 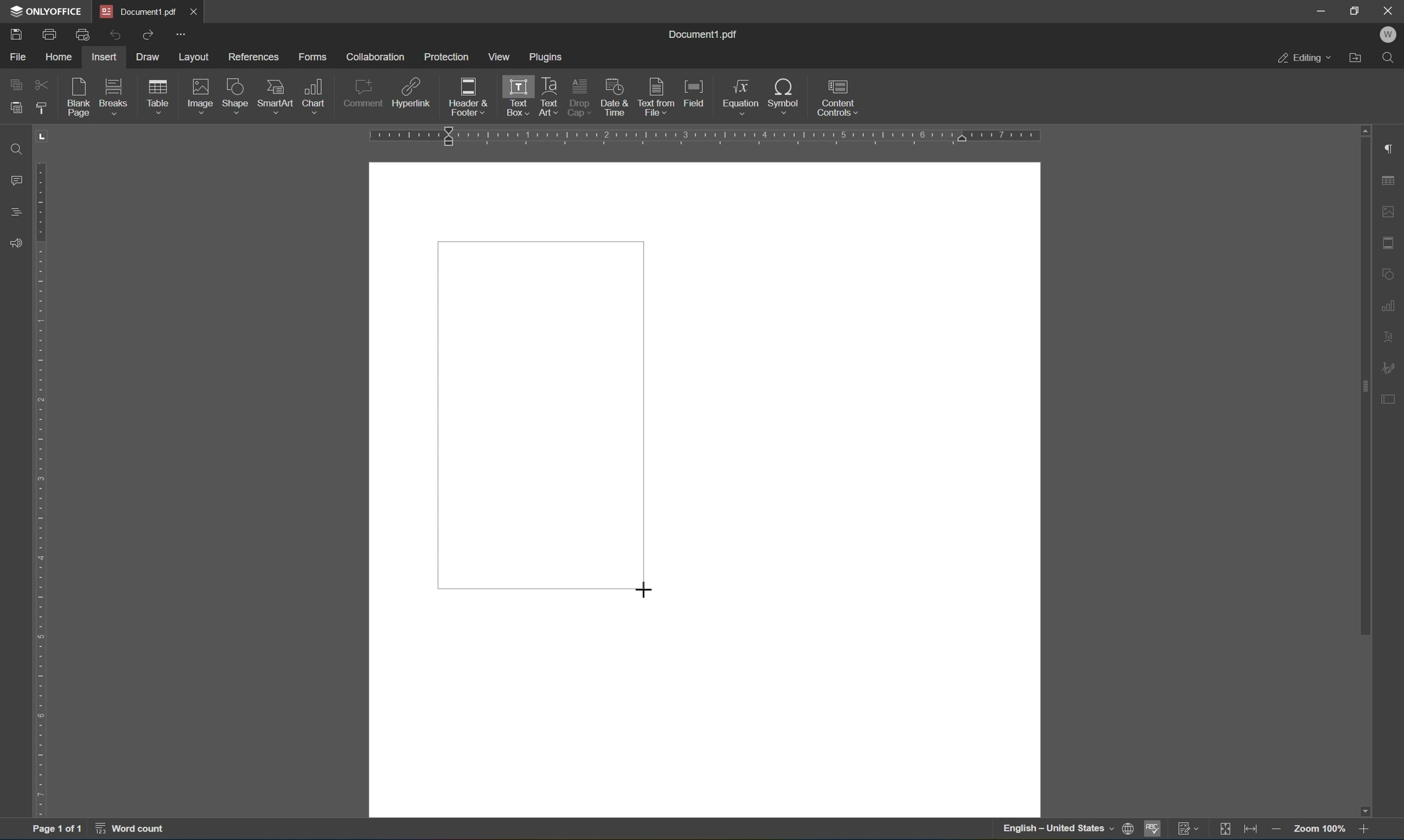 I want to click on scroll down, so click(x=1364, y=811).